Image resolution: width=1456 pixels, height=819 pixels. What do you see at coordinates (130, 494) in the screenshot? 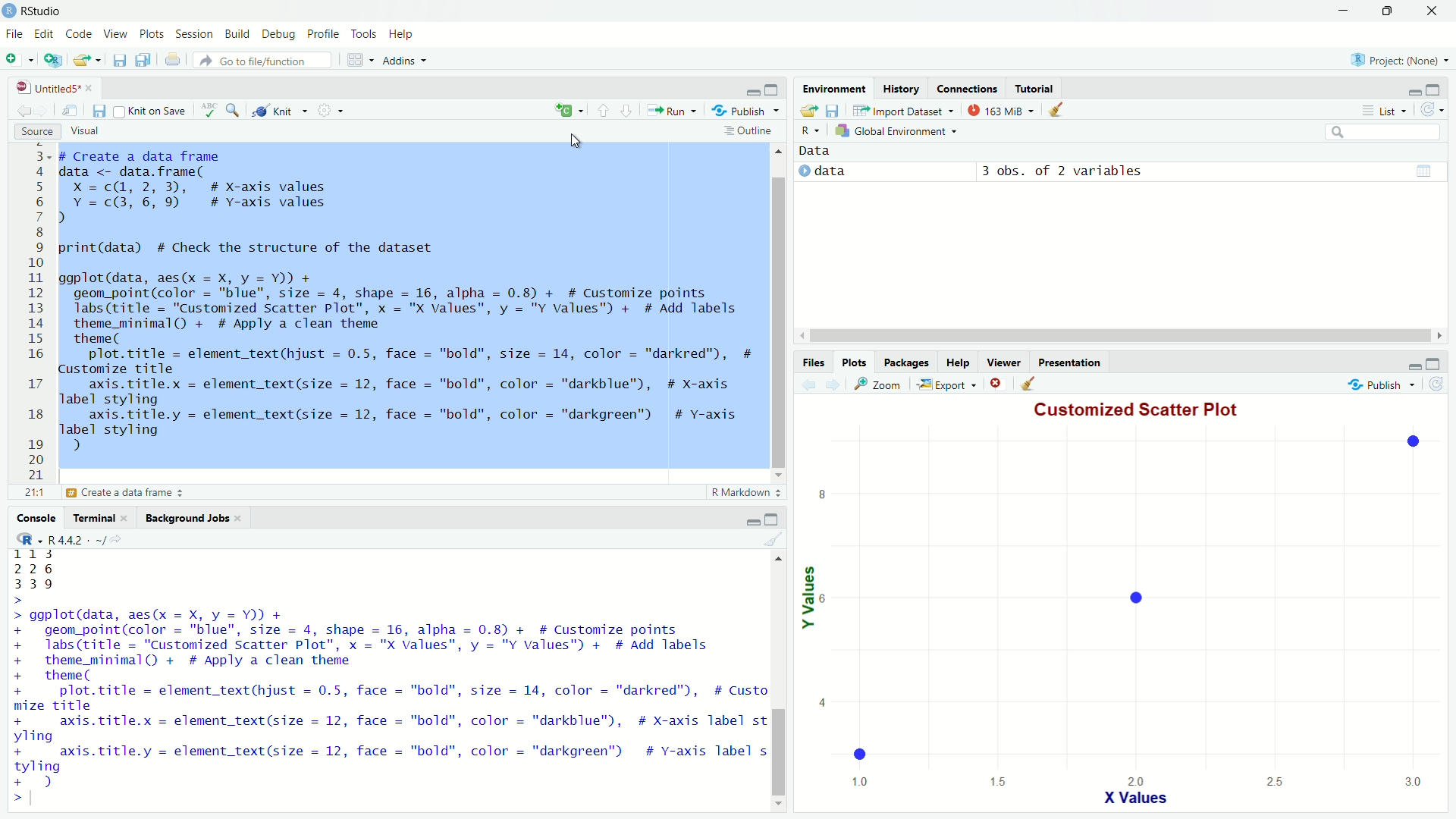
I see `Create a data frame` at bounding box center [130, 494].